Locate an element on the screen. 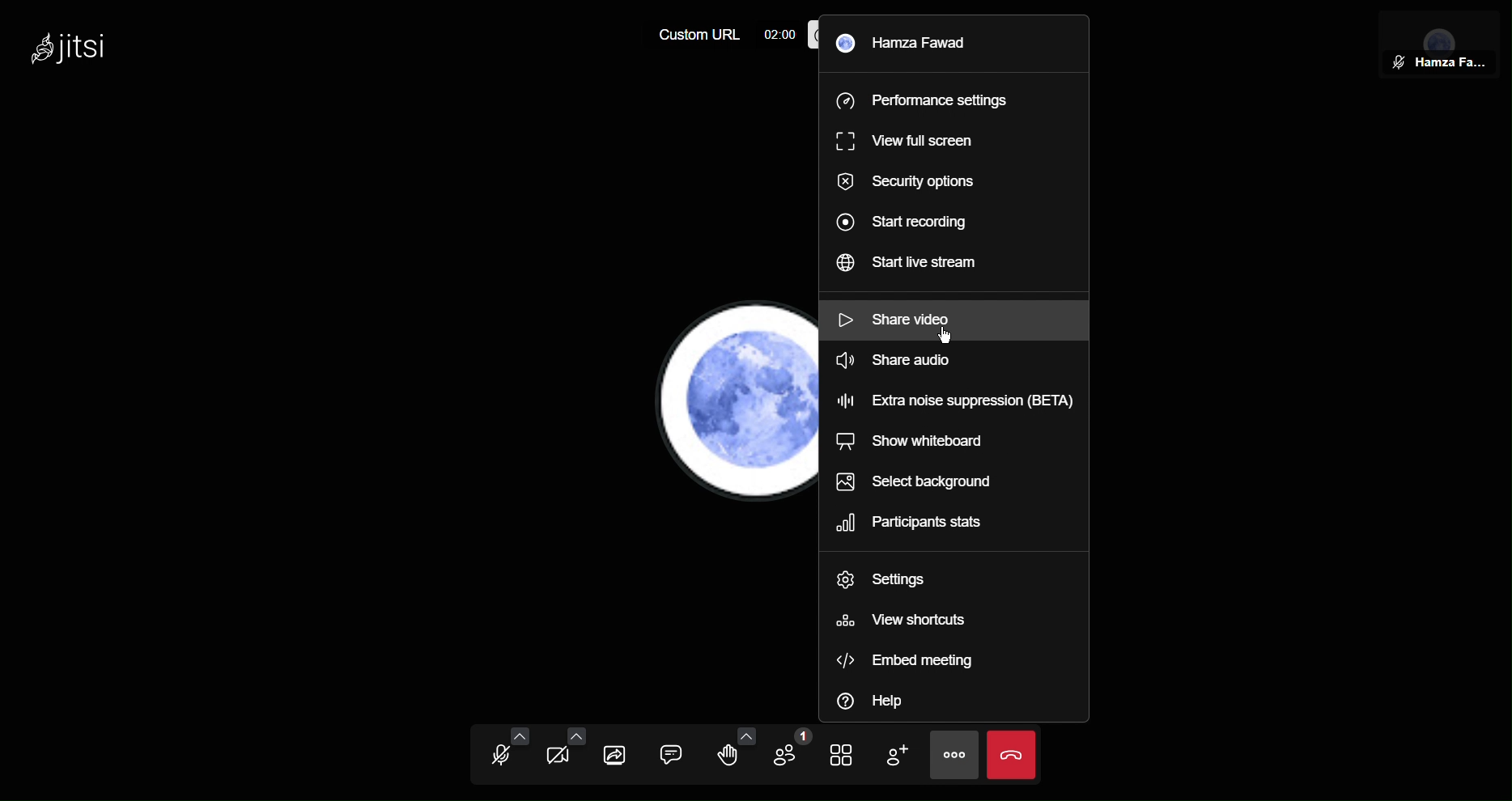 The image size is (1512, 801). Chat is located at coordinates (676, 758).